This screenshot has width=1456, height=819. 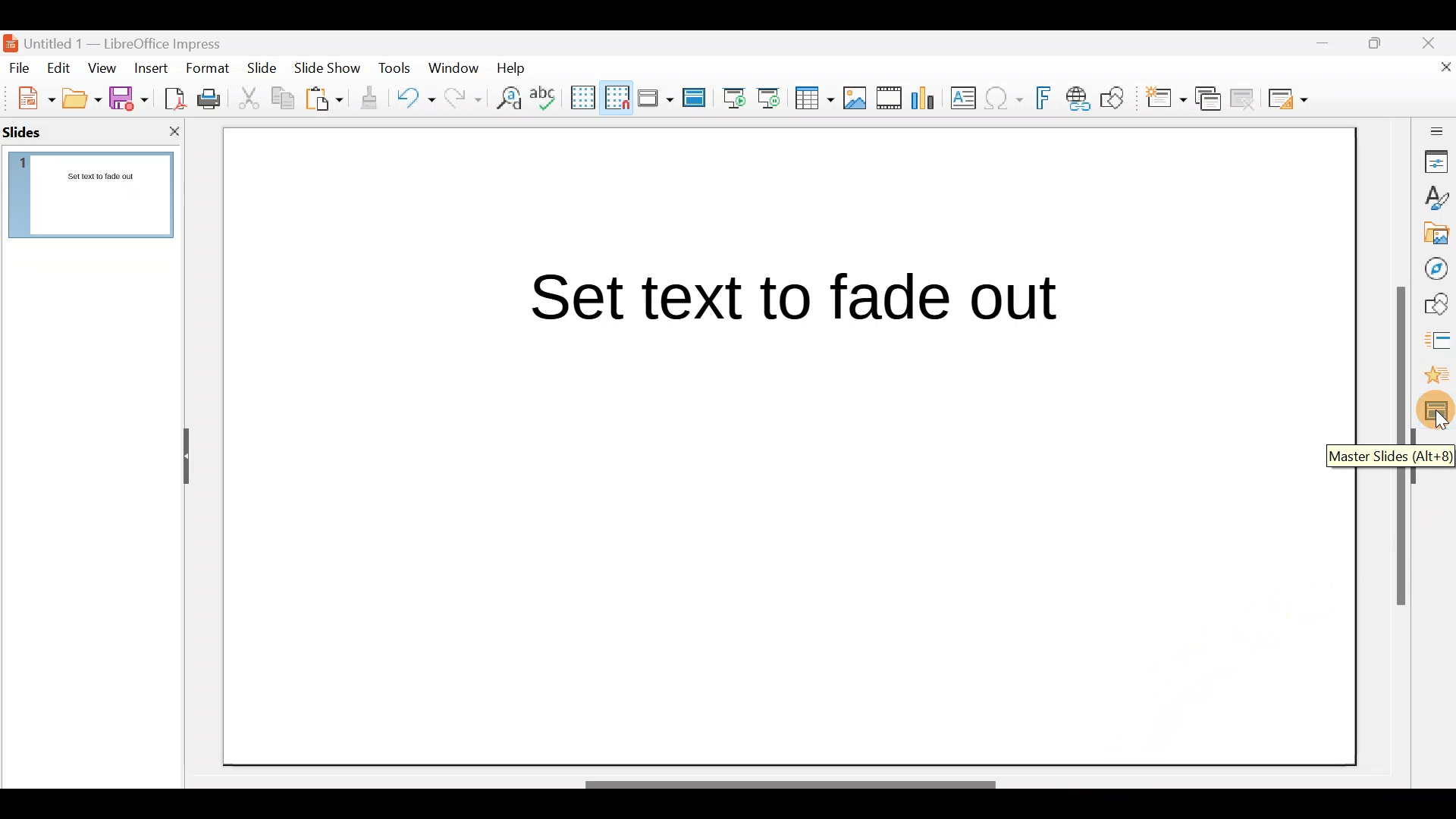 I want to click on Cut, so click(x=251, y=99).